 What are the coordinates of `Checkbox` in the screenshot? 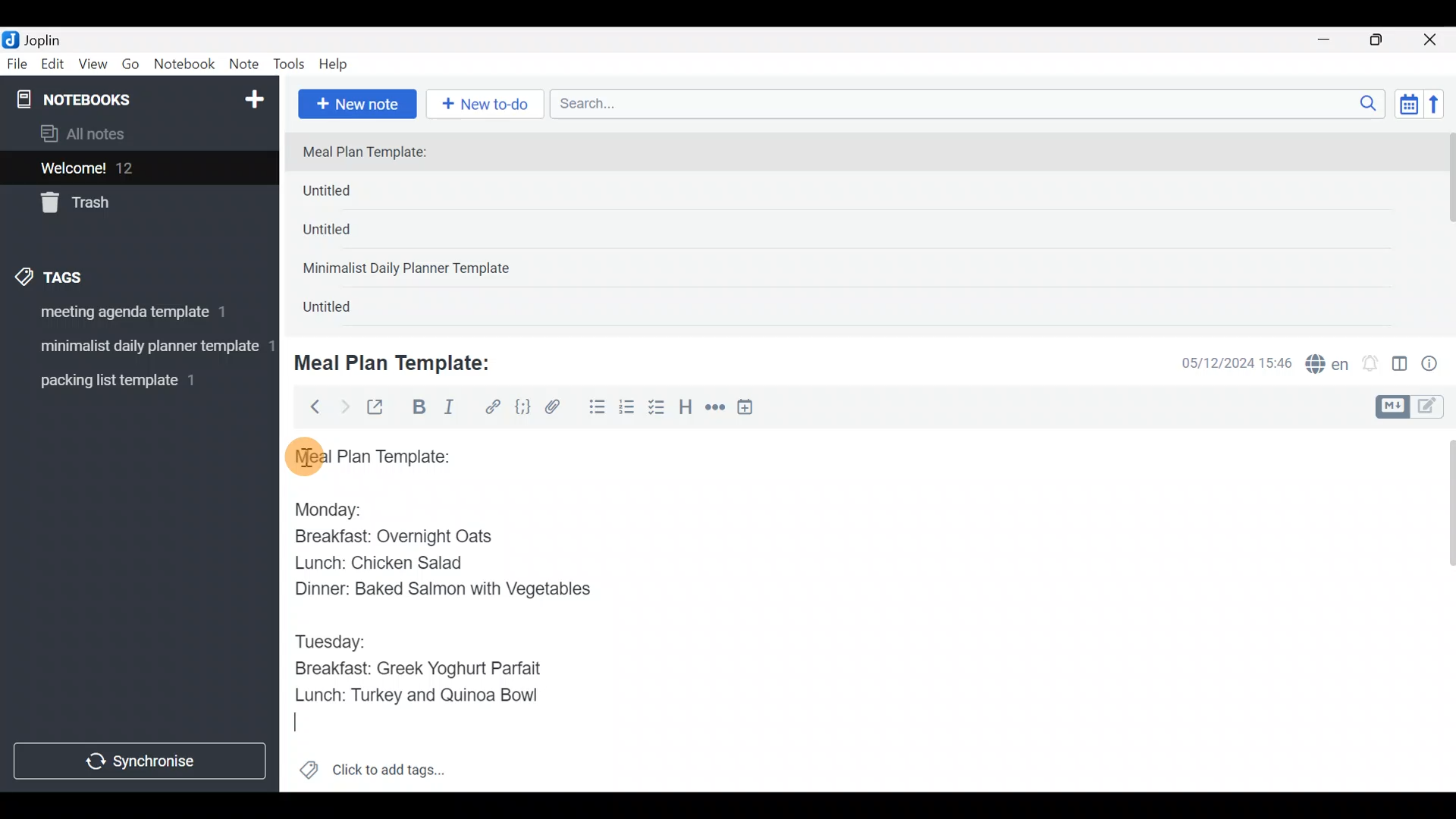 It's located at (658, 409).